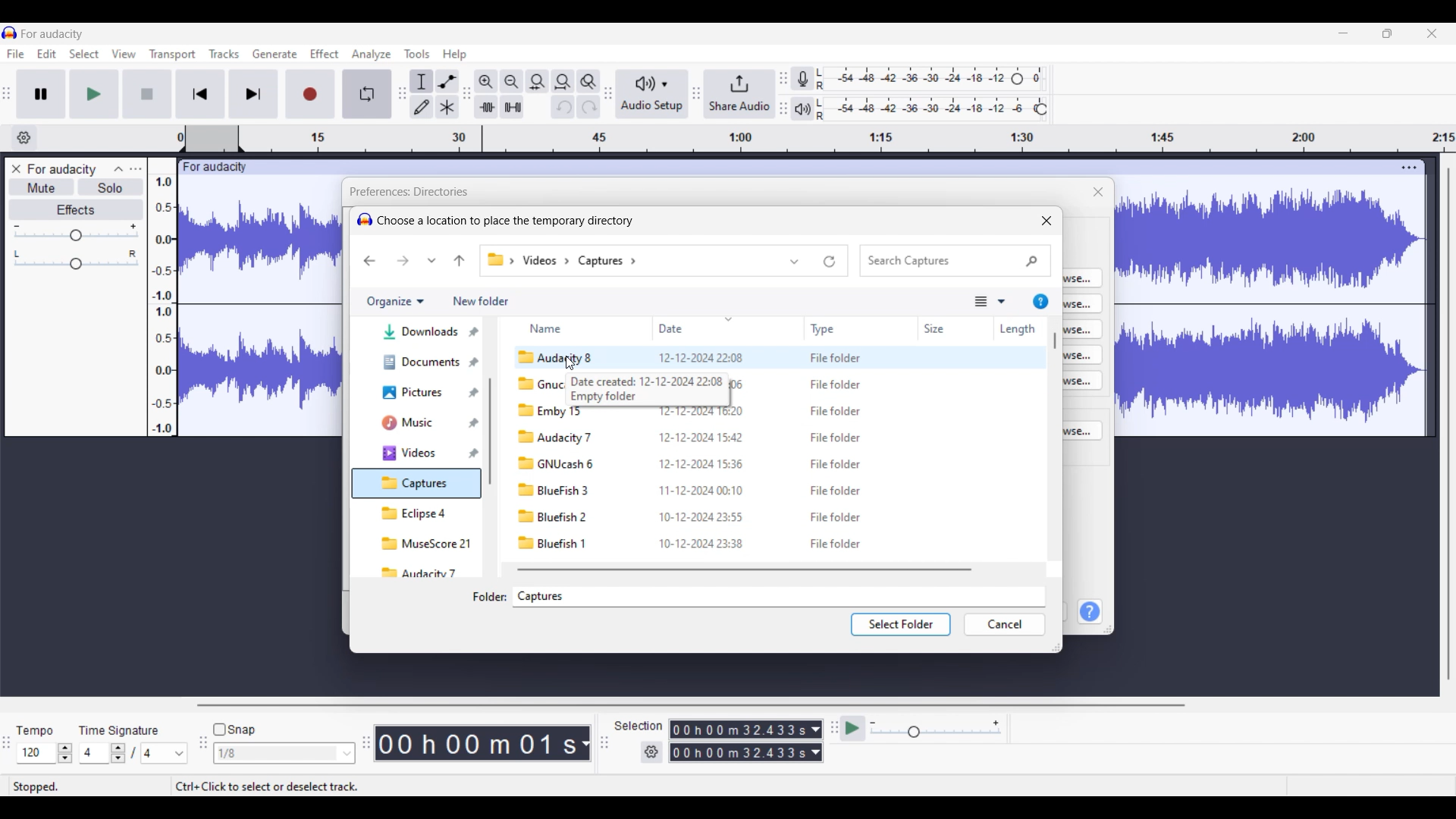 The height and width of the screenshot is (819, 1456). I want to click on eclipse 4, so click(416, 513).